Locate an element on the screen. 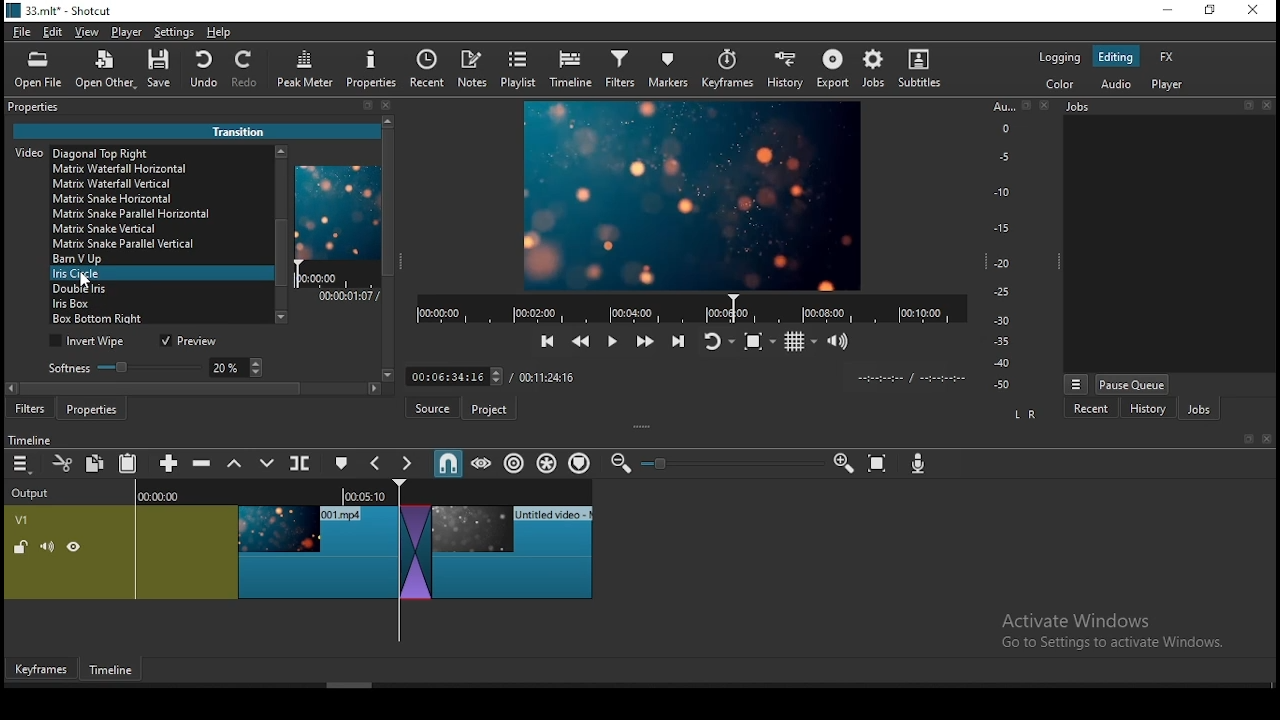  options is located at coordinates (1076, 382).